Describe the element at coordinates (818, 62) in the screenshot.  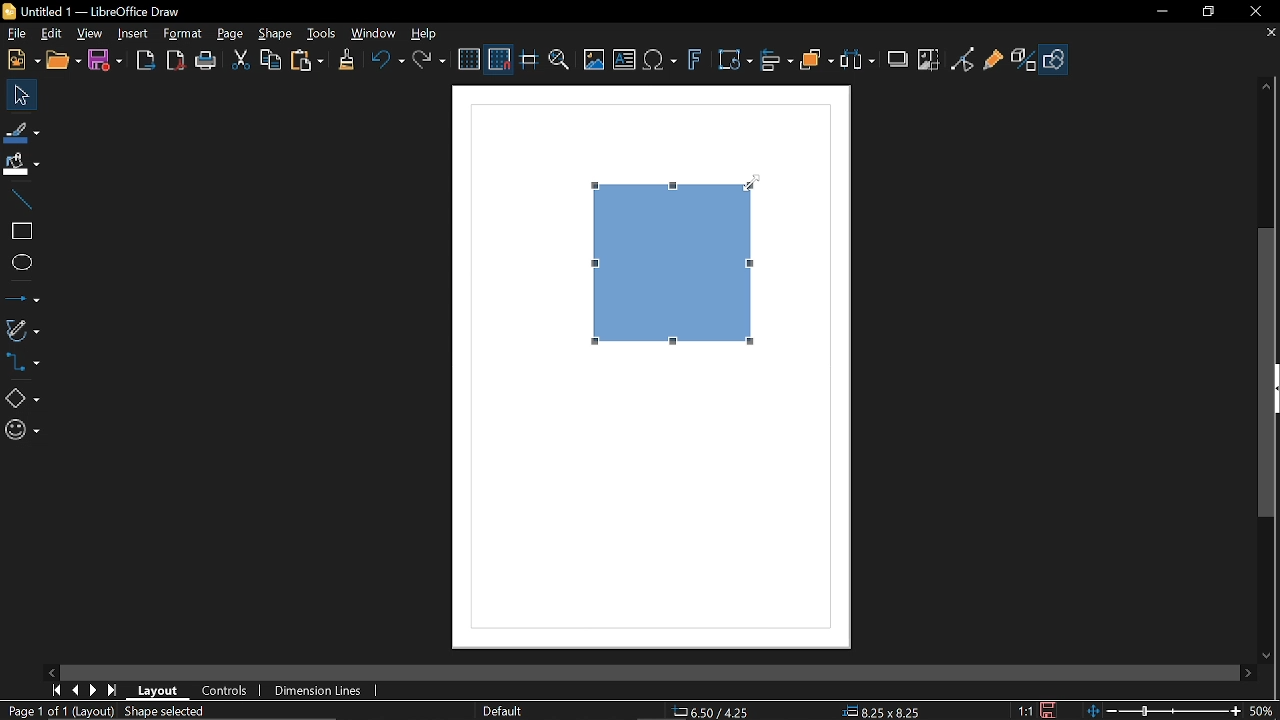
I see `Arrange` at that location.